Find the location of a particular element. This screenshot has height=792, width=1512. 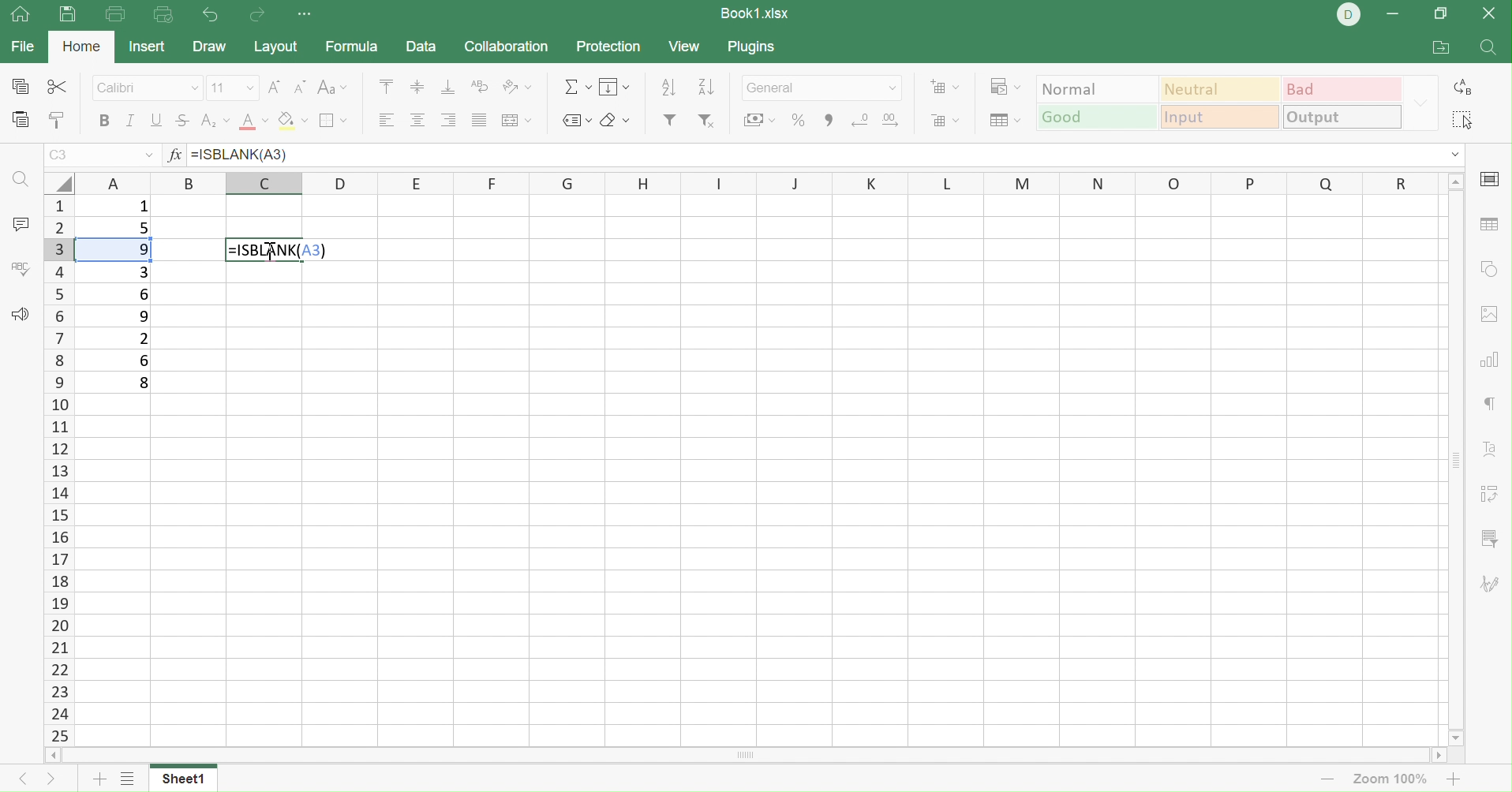

Italic is located at coordinates (130, 119).